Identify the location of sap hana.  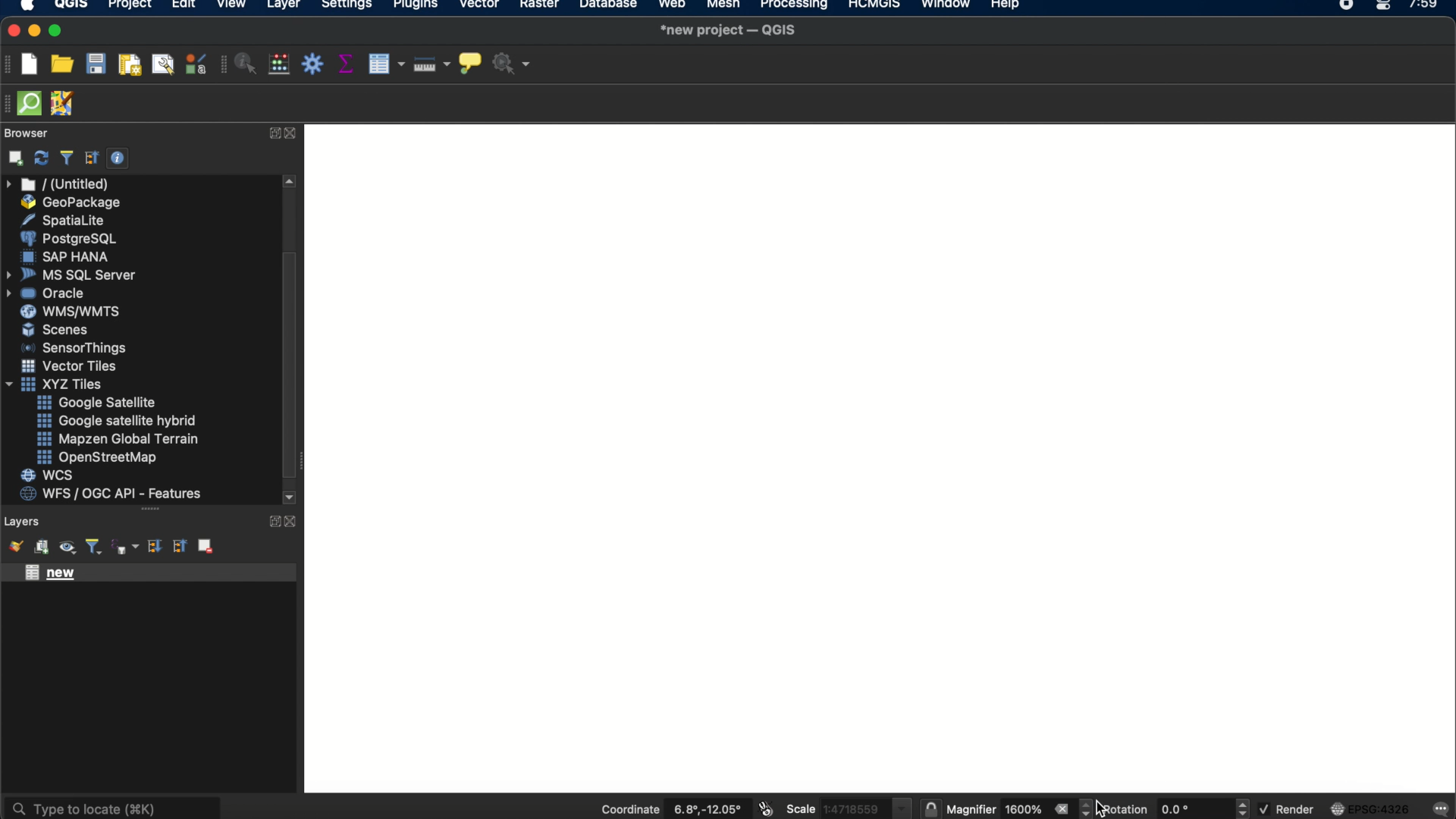
(67, 256).